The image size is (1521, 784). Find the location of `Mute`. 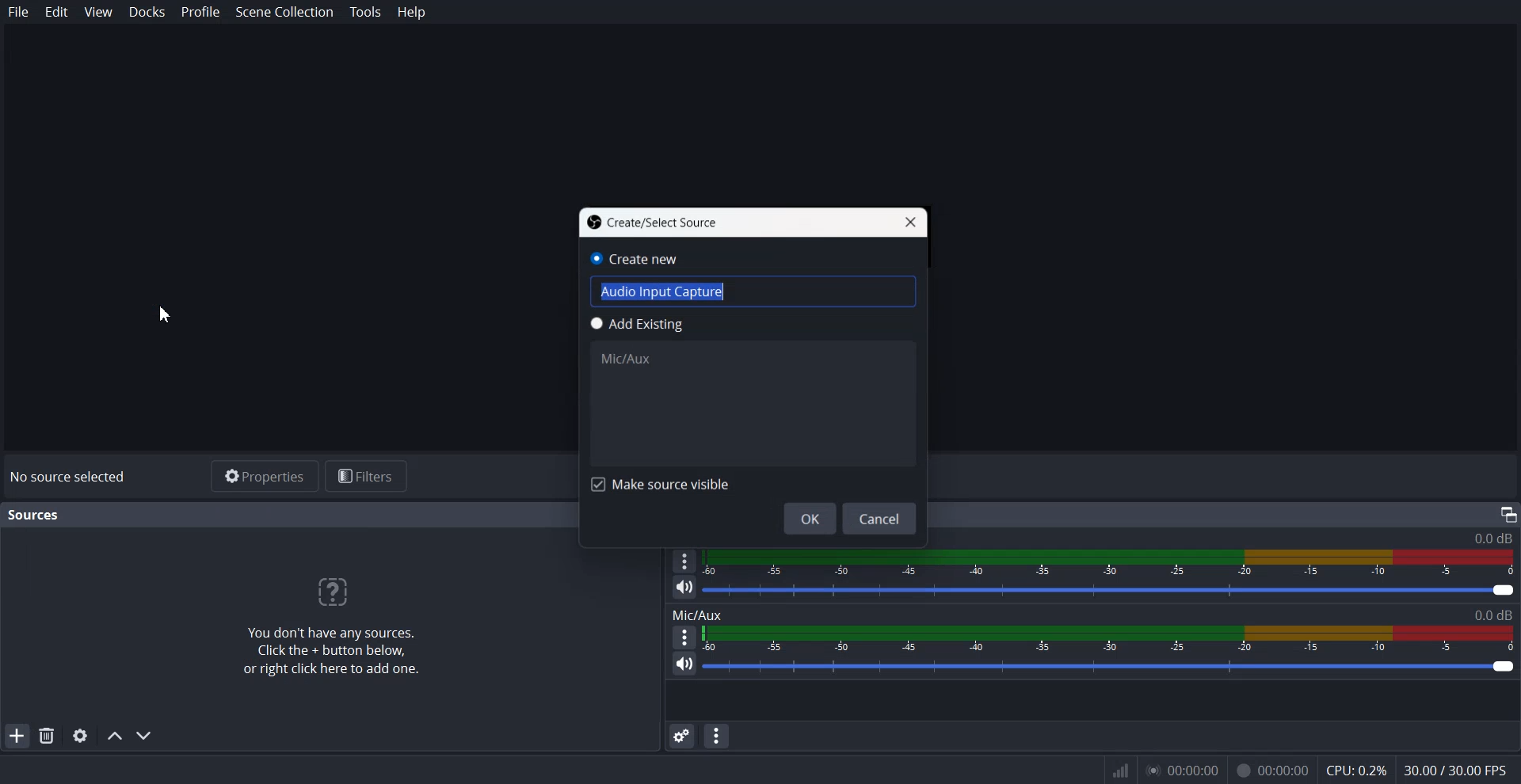

Mute is located at coordinates (684, 587).